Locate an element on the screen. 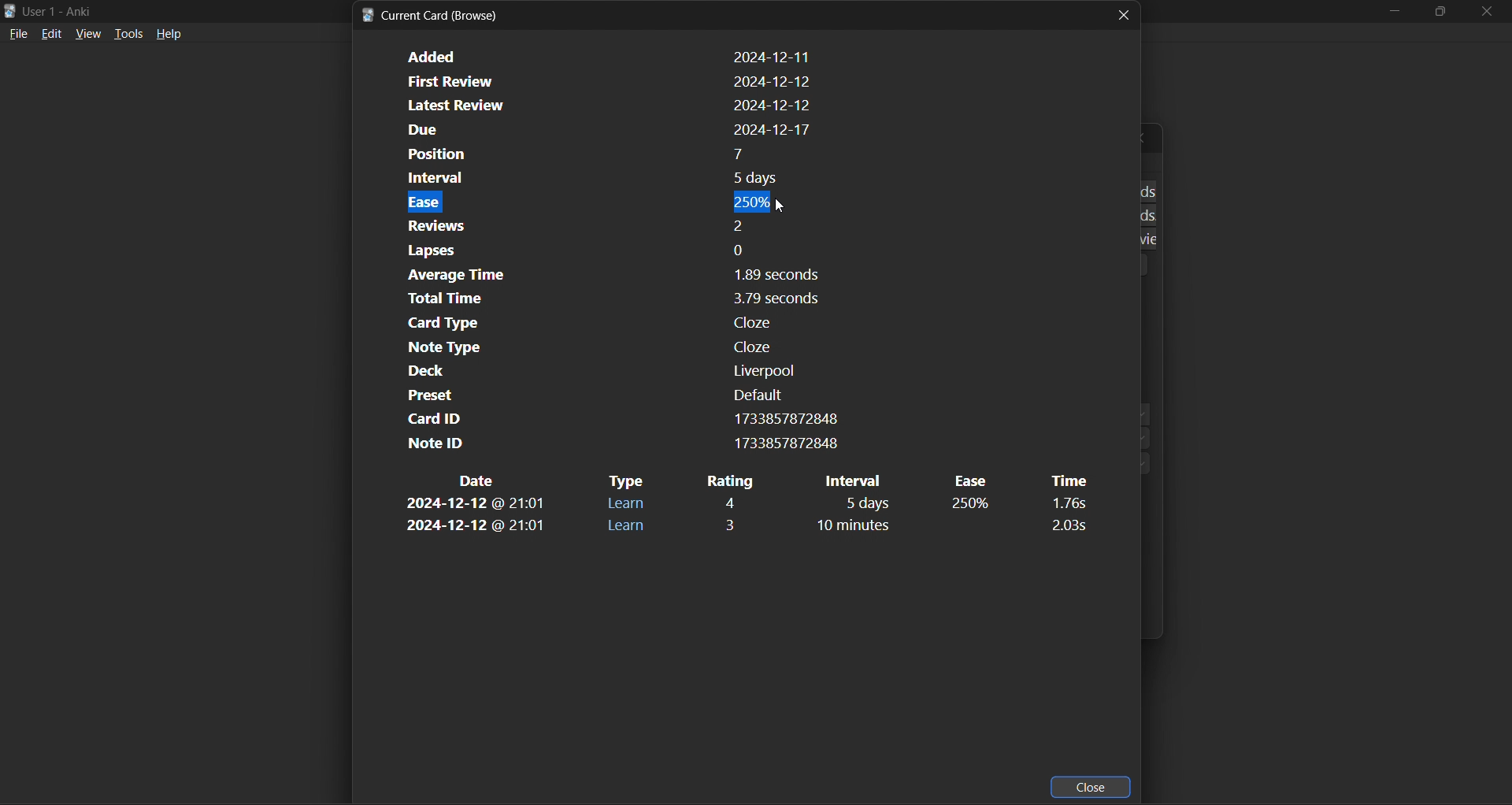 The height and width of the screenshot is (805, 1512). type is located at coordinates (625, 504).